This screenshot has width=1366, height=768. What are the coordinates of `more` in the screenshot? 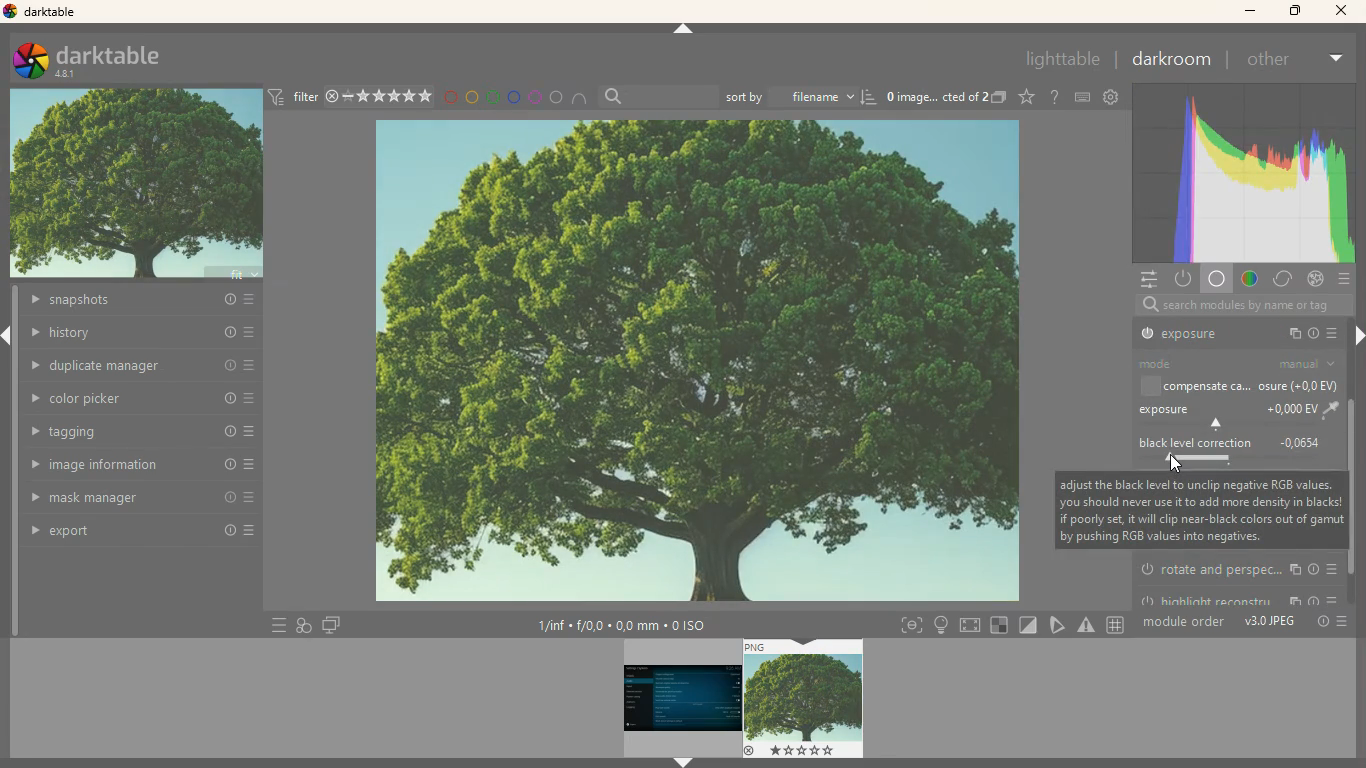 It's located at (1341, 281).